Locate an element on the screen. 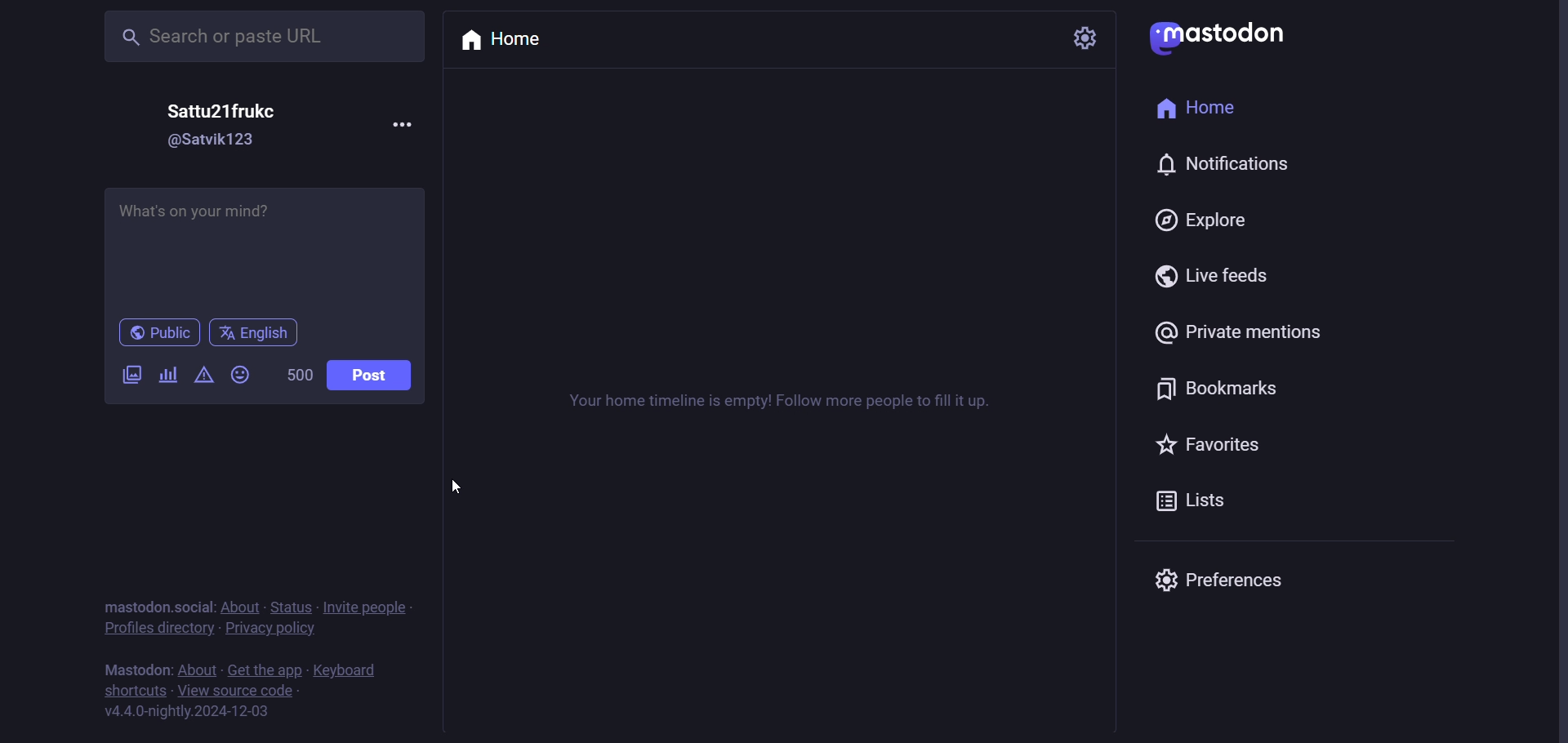 This screenshot has height=743, width=1568. about is located at coordinates (241, 608).